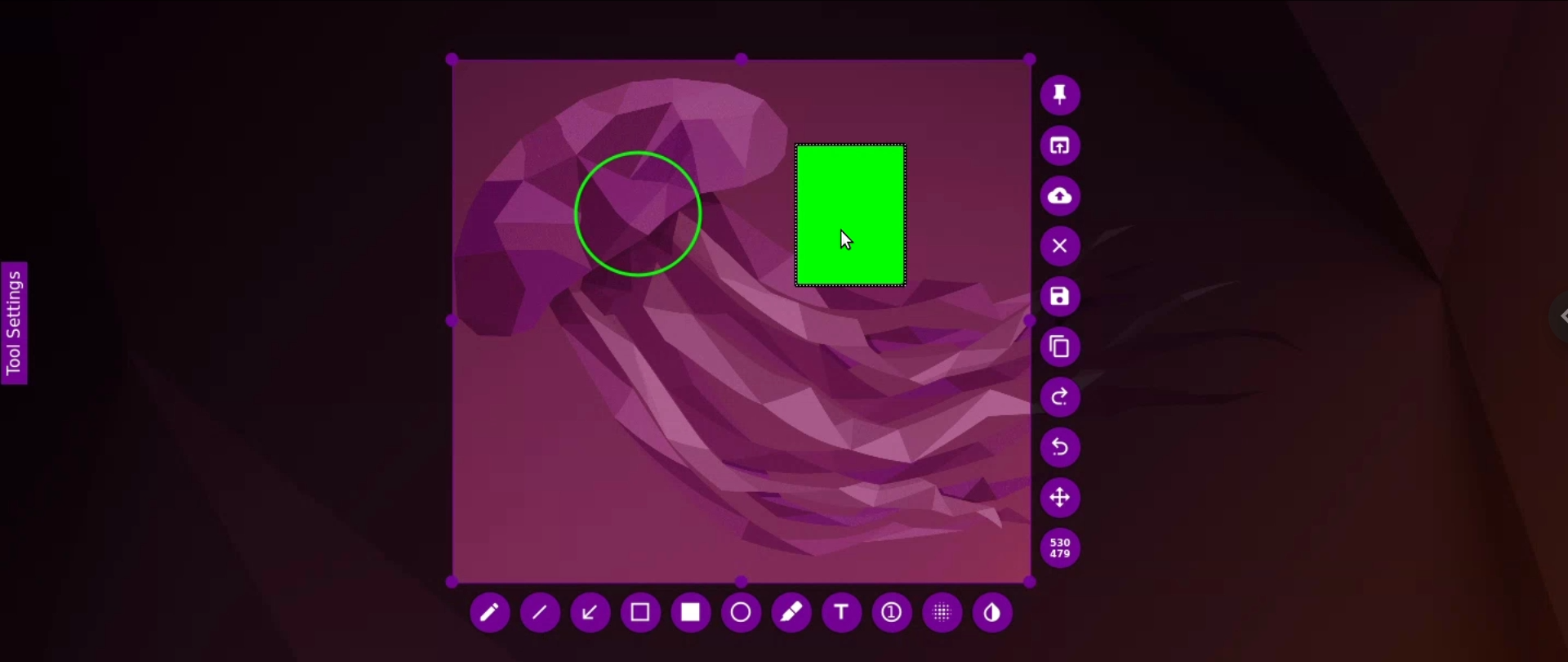  What do you see at coordinates (1057, 92) in the screenshot?
I see `pin image` at bounding box center [1057, 92].